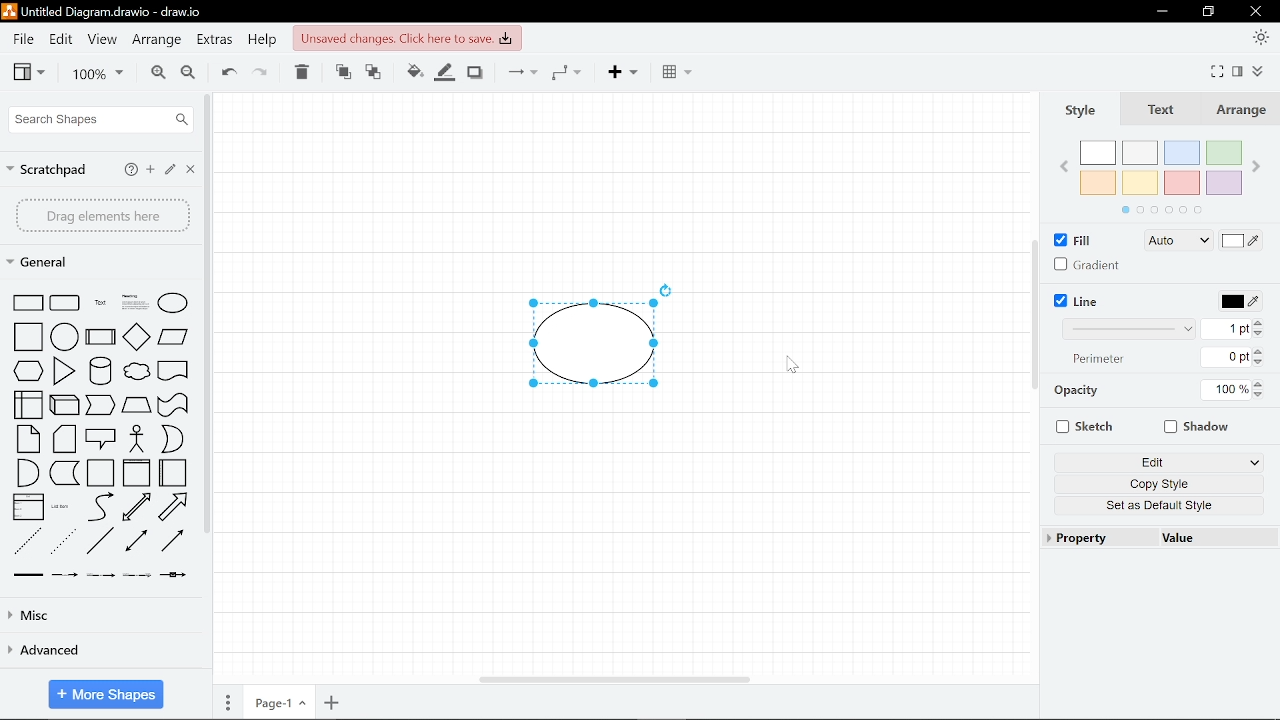 The image size is (1280, 720). Describe the element at coordinates (94, 651) in the screenshot. I see `Advanced shapes` at that location.